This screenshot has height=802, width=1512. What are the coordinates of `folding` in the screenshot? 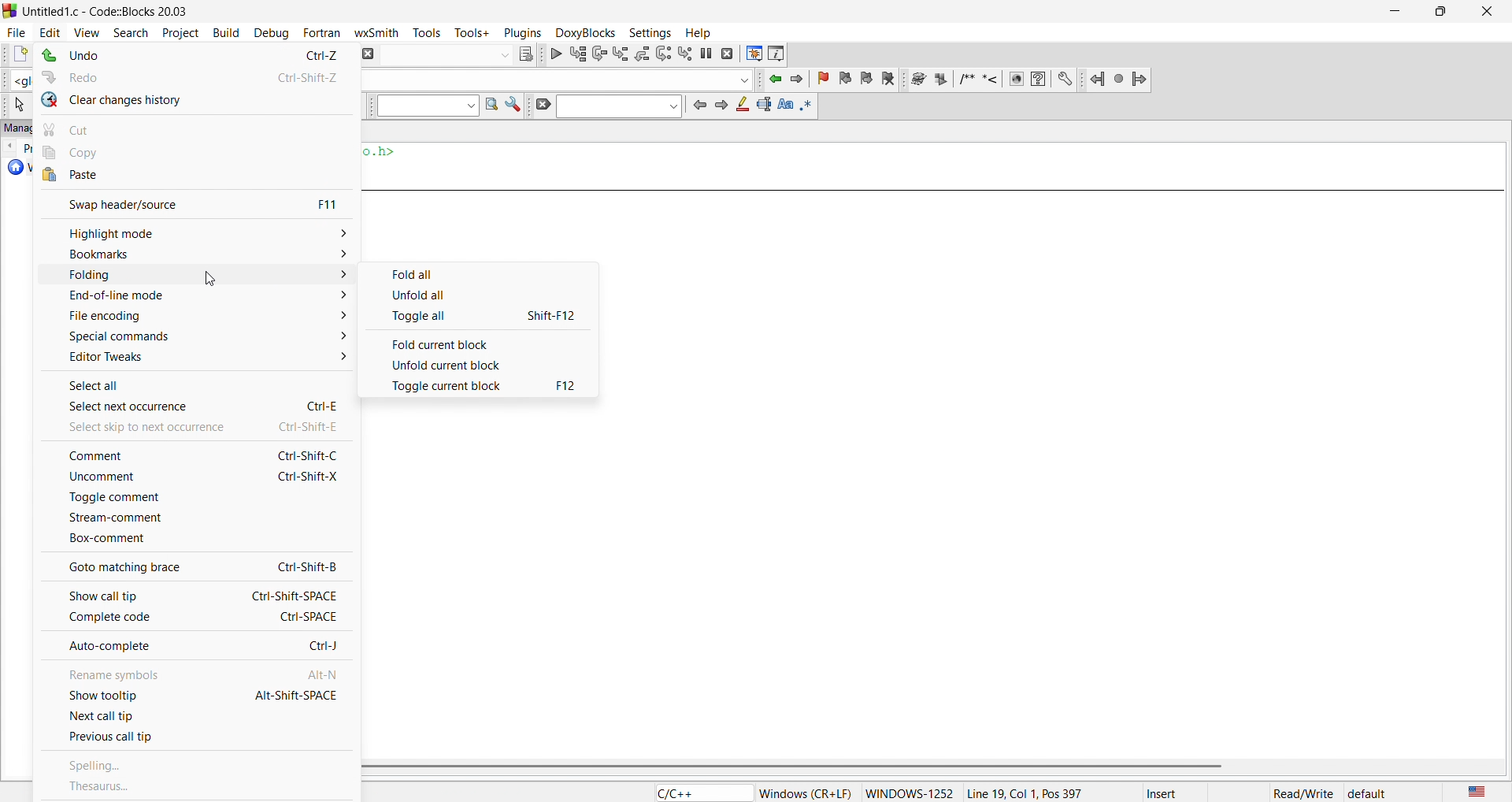 It's located at (195, 276).